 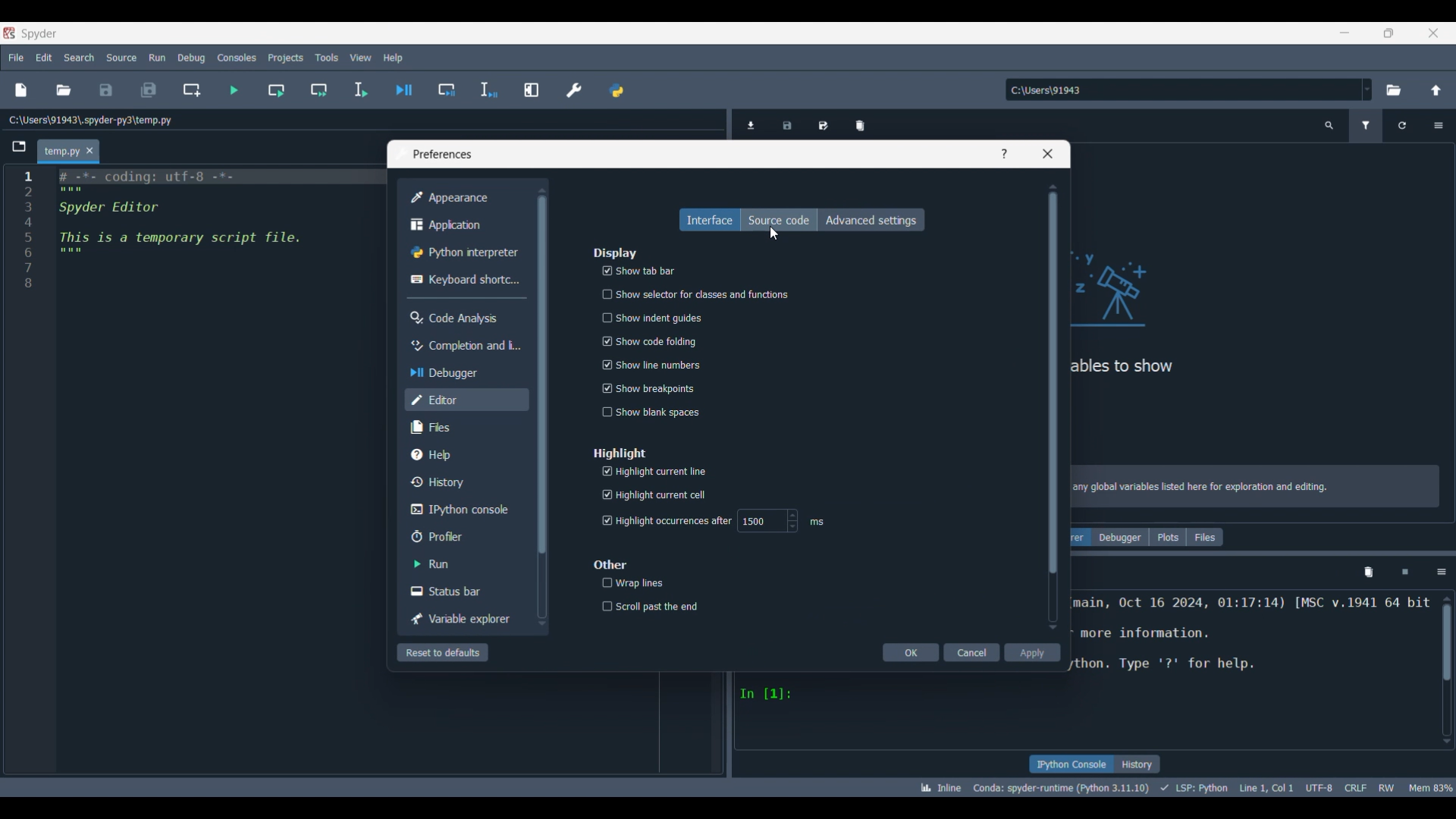 I want to click on Save data as, so click(x=824, y=124).